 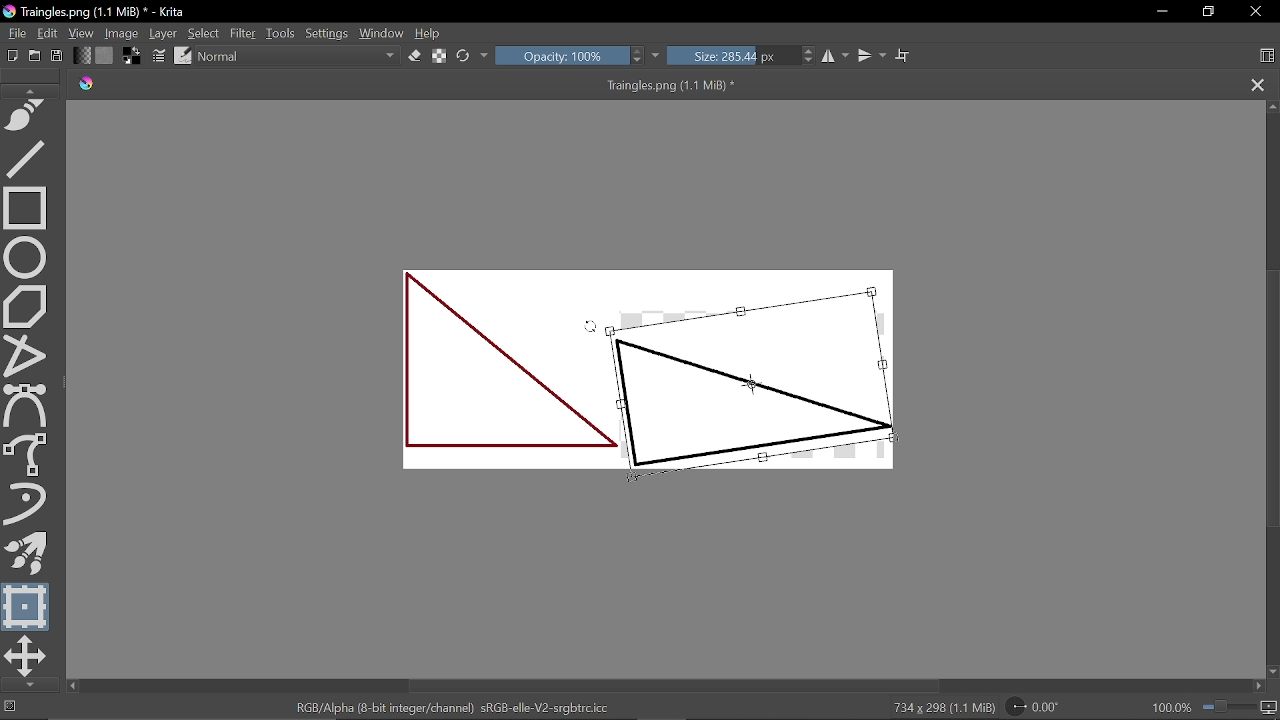 What do you see at coordinates (48, 34) in the screenshot?
I see `Edit` at bounding box center [48, 34].